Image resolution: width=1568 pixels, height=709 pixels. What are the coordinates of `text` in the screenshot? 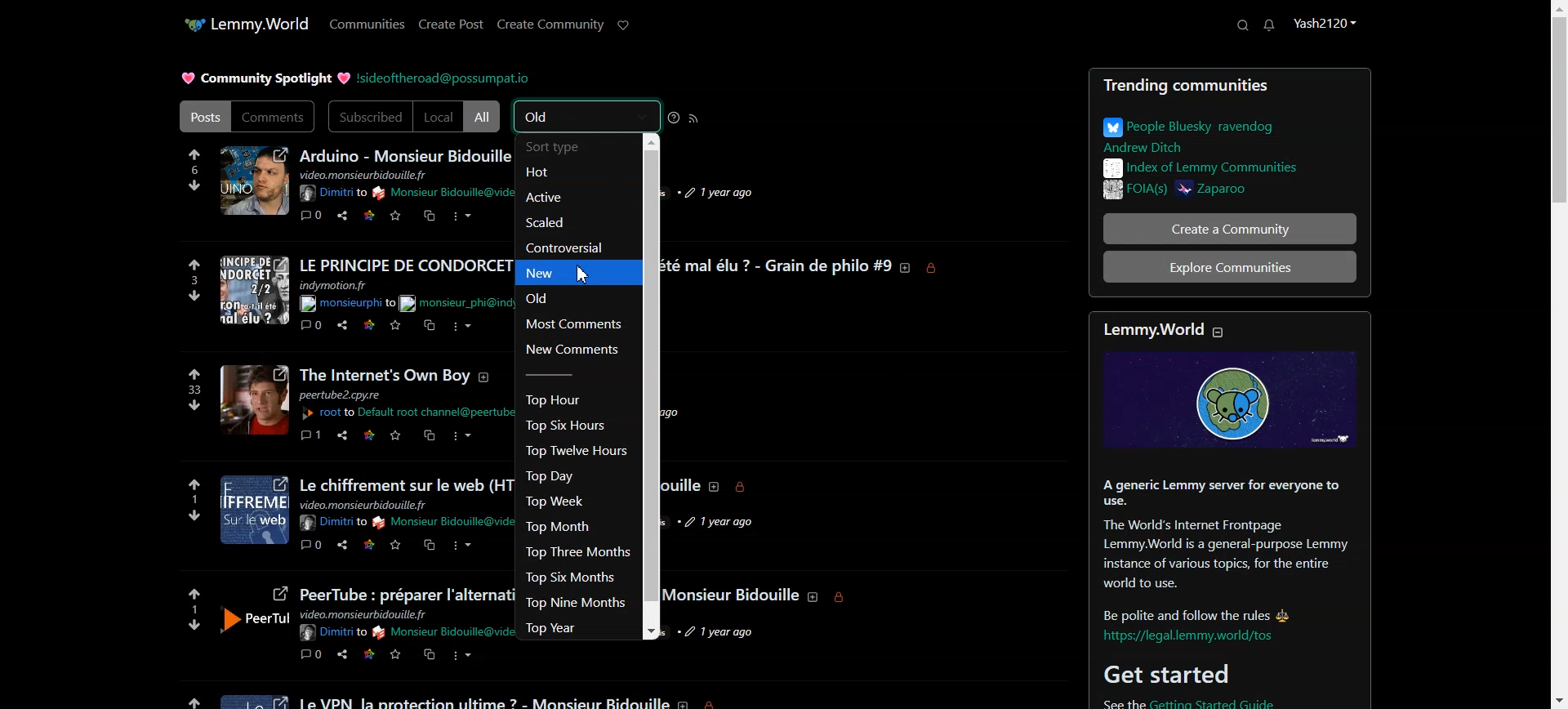 It's located at (443, 193).